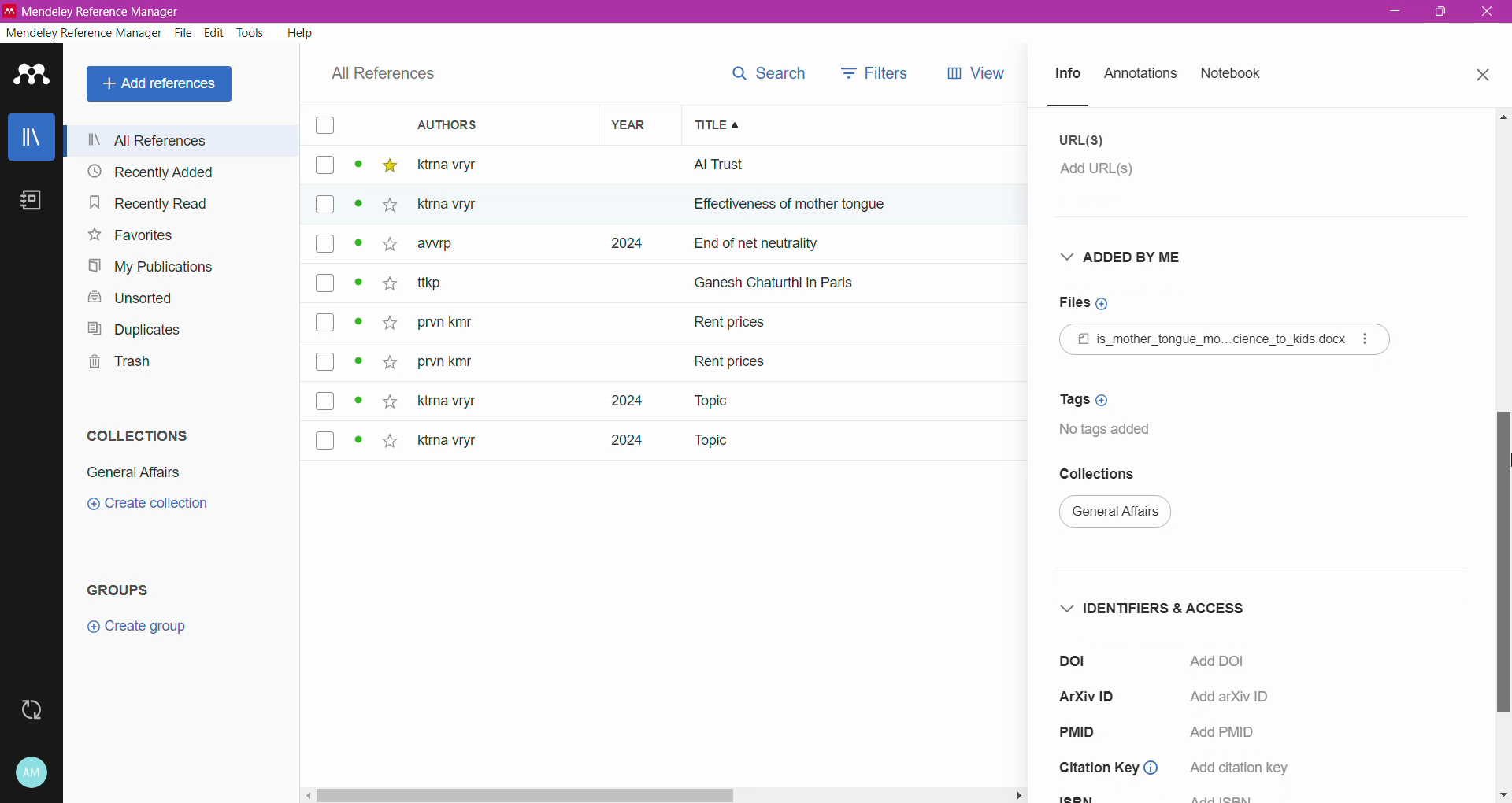 The width and height of the screenshot is (1512, 803). I want to click on star, so click(387, 287).